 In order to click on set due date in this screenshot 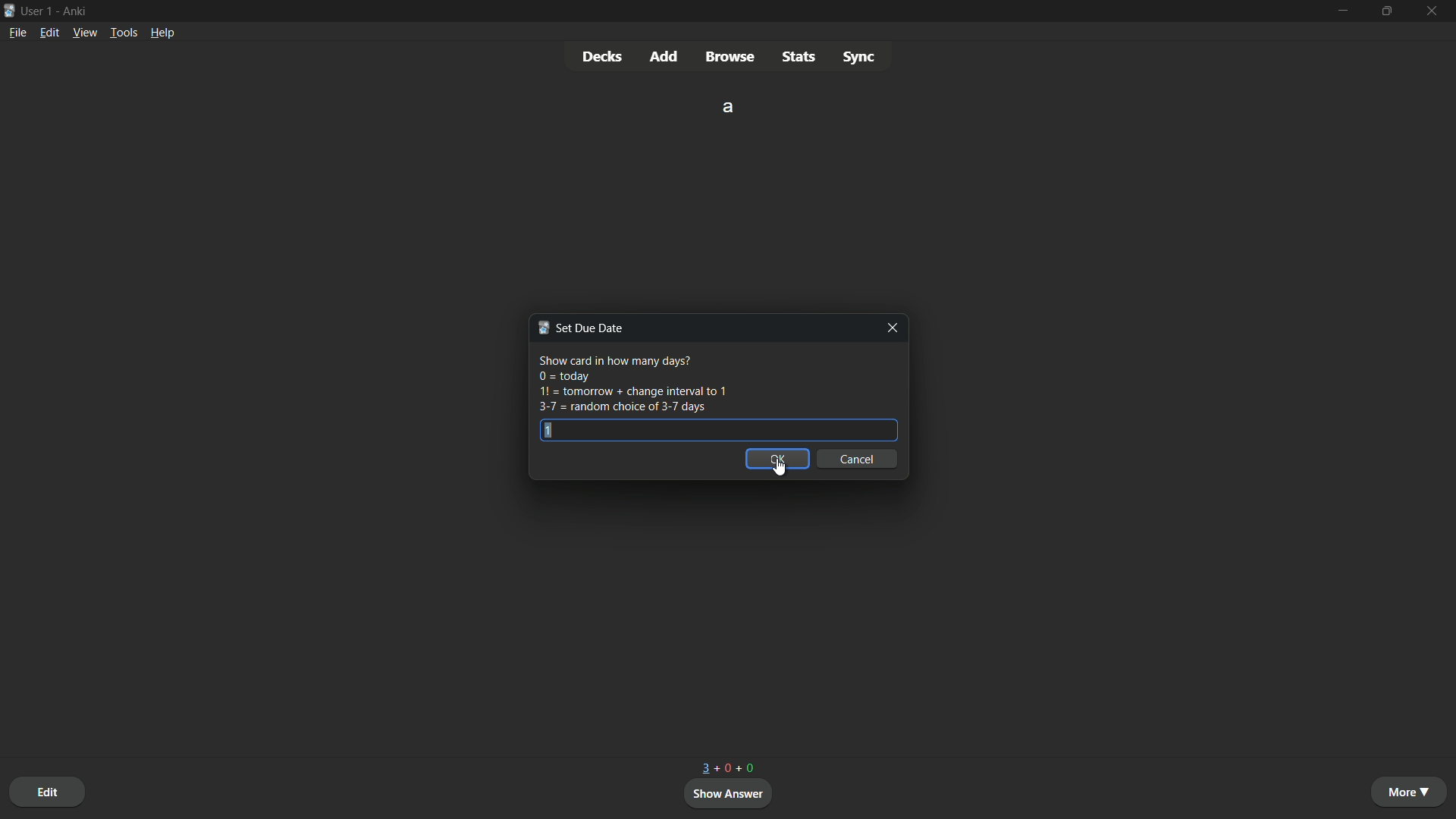, I will do `click(579, 328)`.